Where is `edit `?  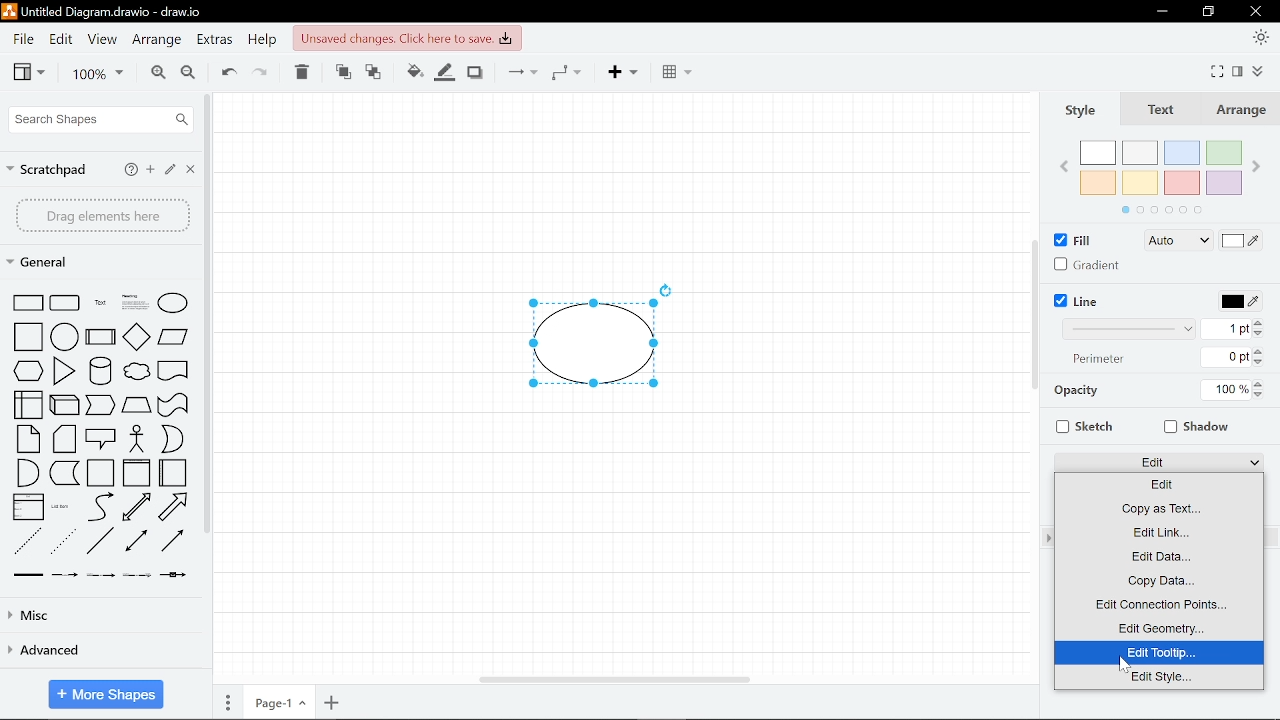
edit  is located at coordinates (170, 167).